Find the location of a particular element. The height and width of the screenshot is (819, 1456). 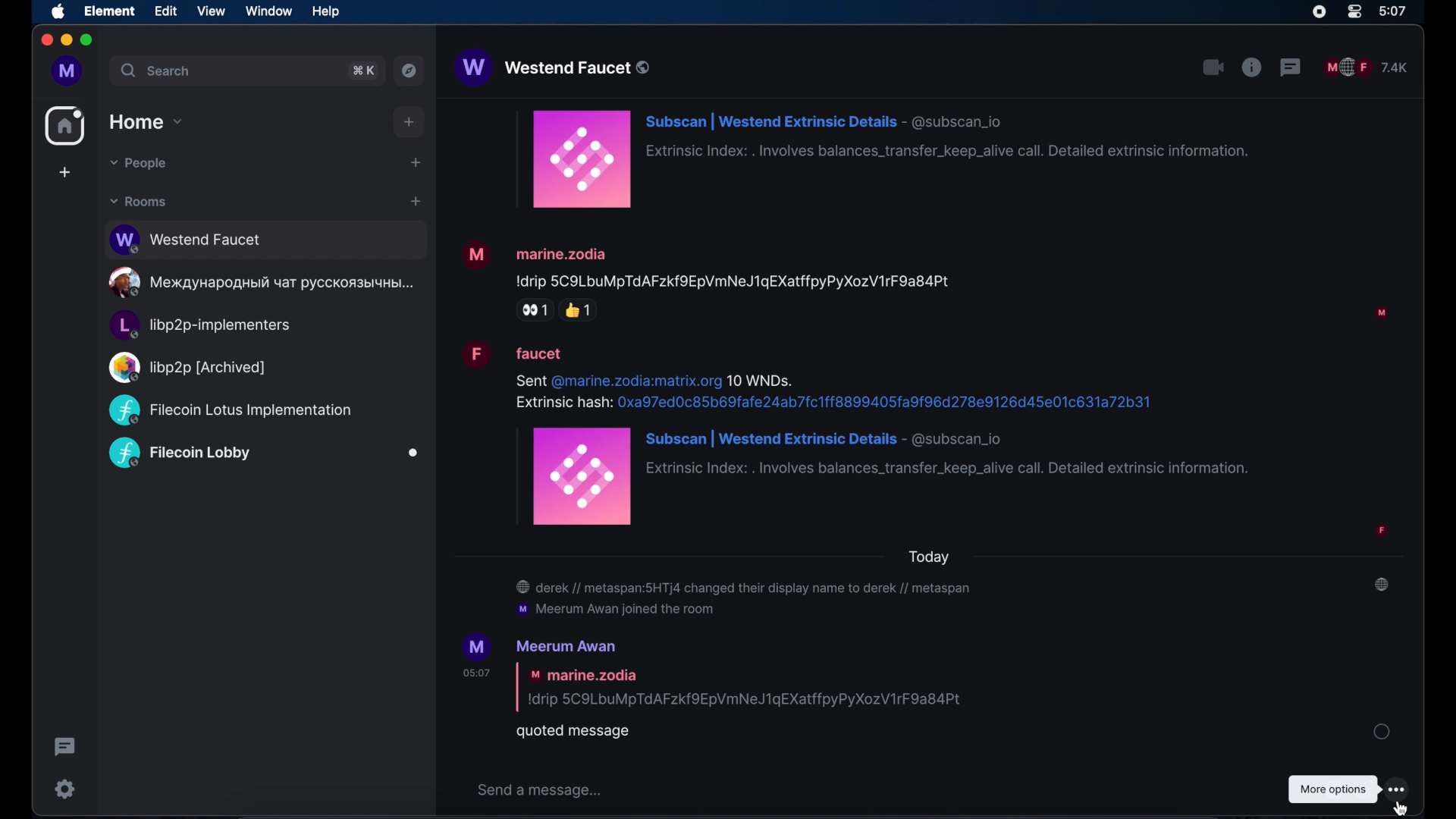

quoted message is located at coordinates (720, 688).